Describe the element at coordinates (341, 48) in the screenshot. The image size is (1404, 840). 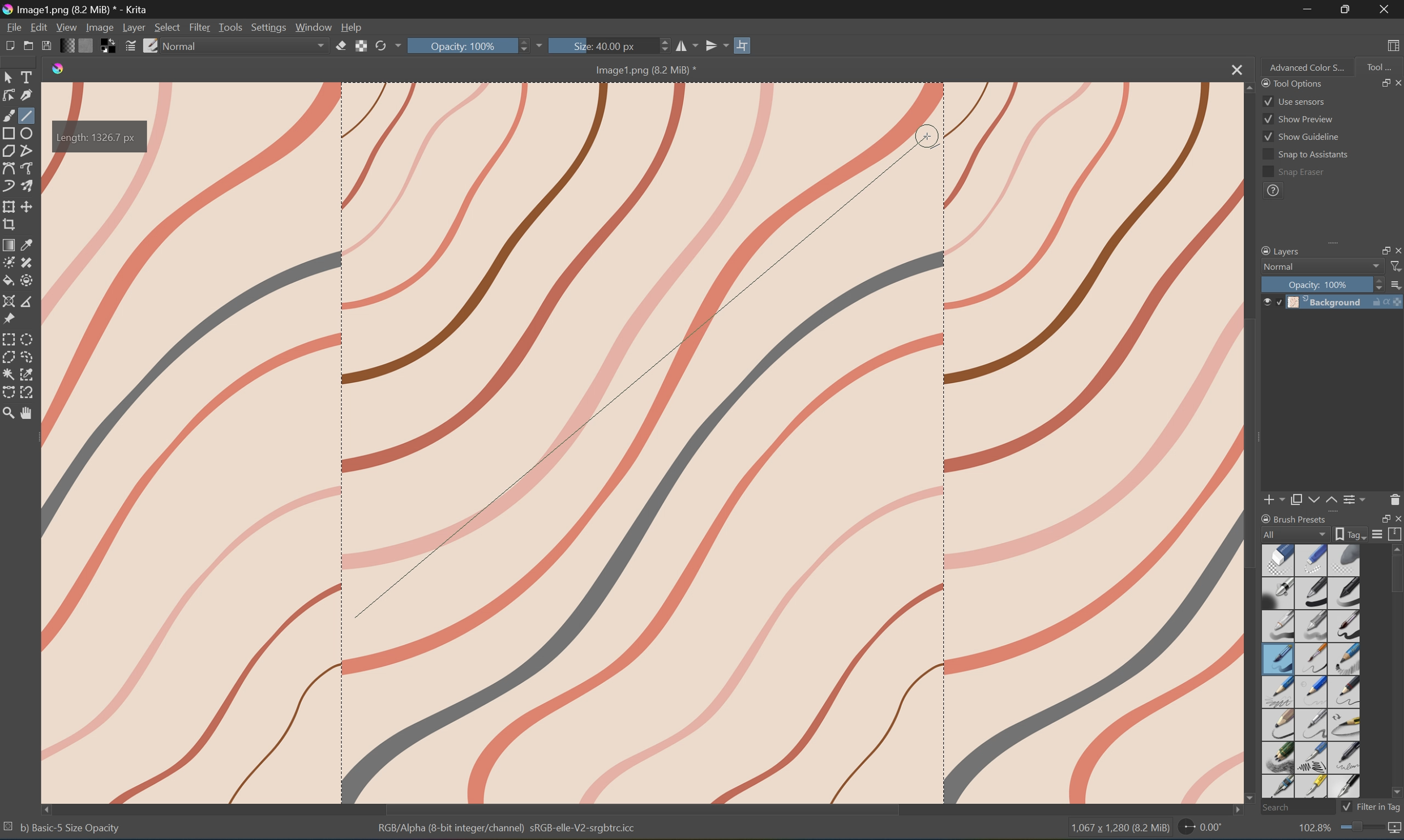
I see `Set eraser mode` at that location.